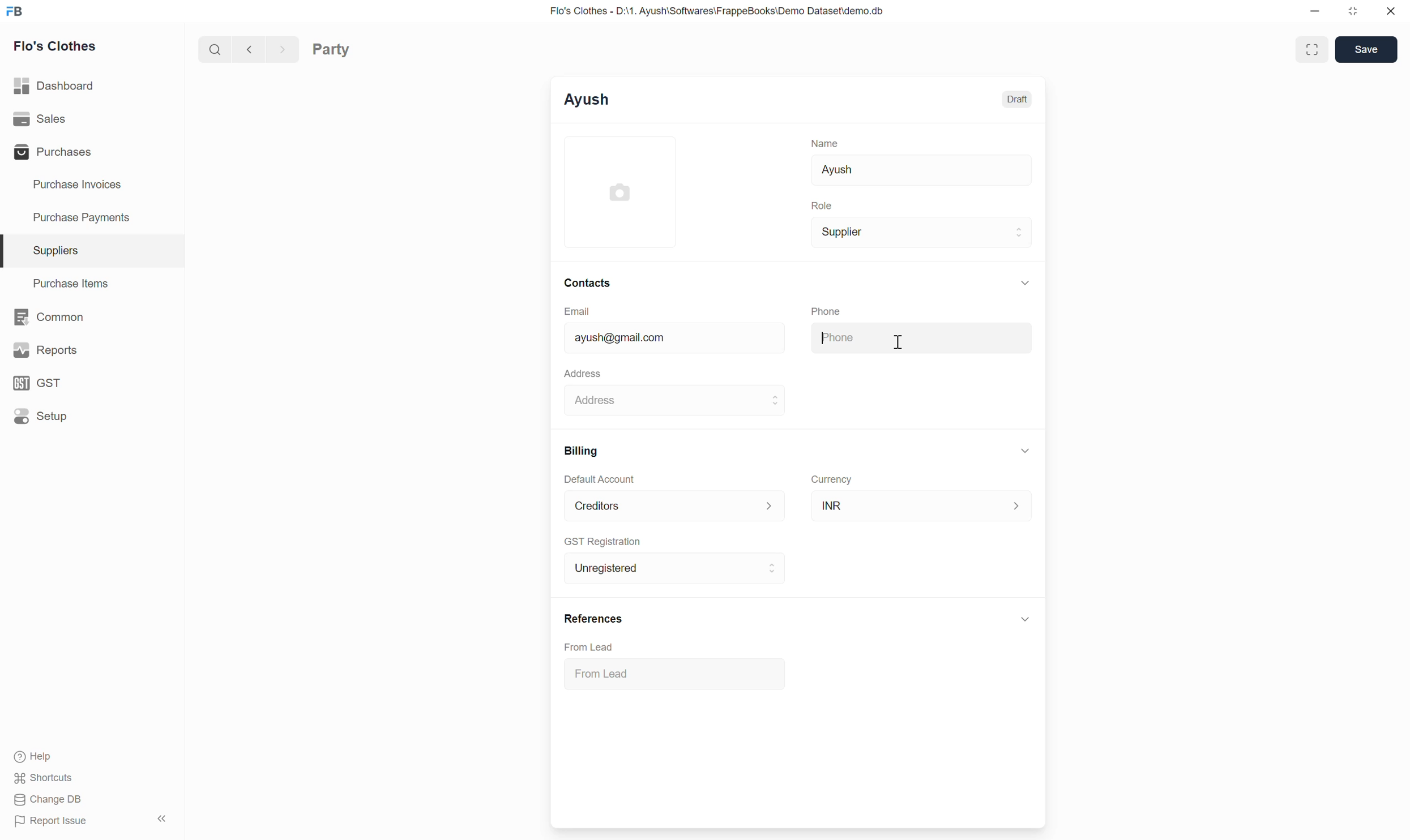 This screenshot has height=840, width=1410. I want to click on GST Registration, so click(603, 542).